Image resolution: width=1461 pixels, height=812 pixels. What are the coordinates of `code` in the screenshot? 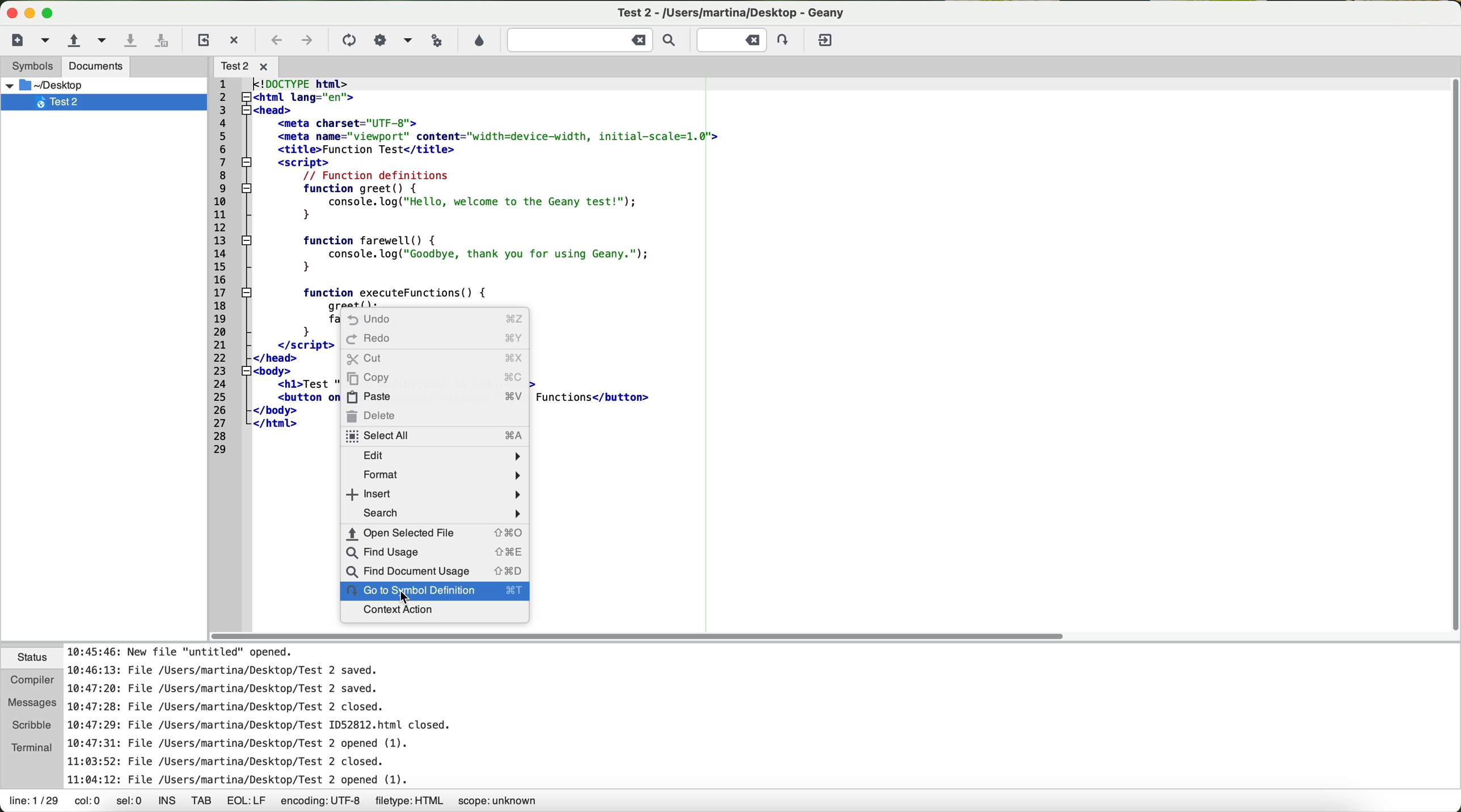 It's located at (468, 189).